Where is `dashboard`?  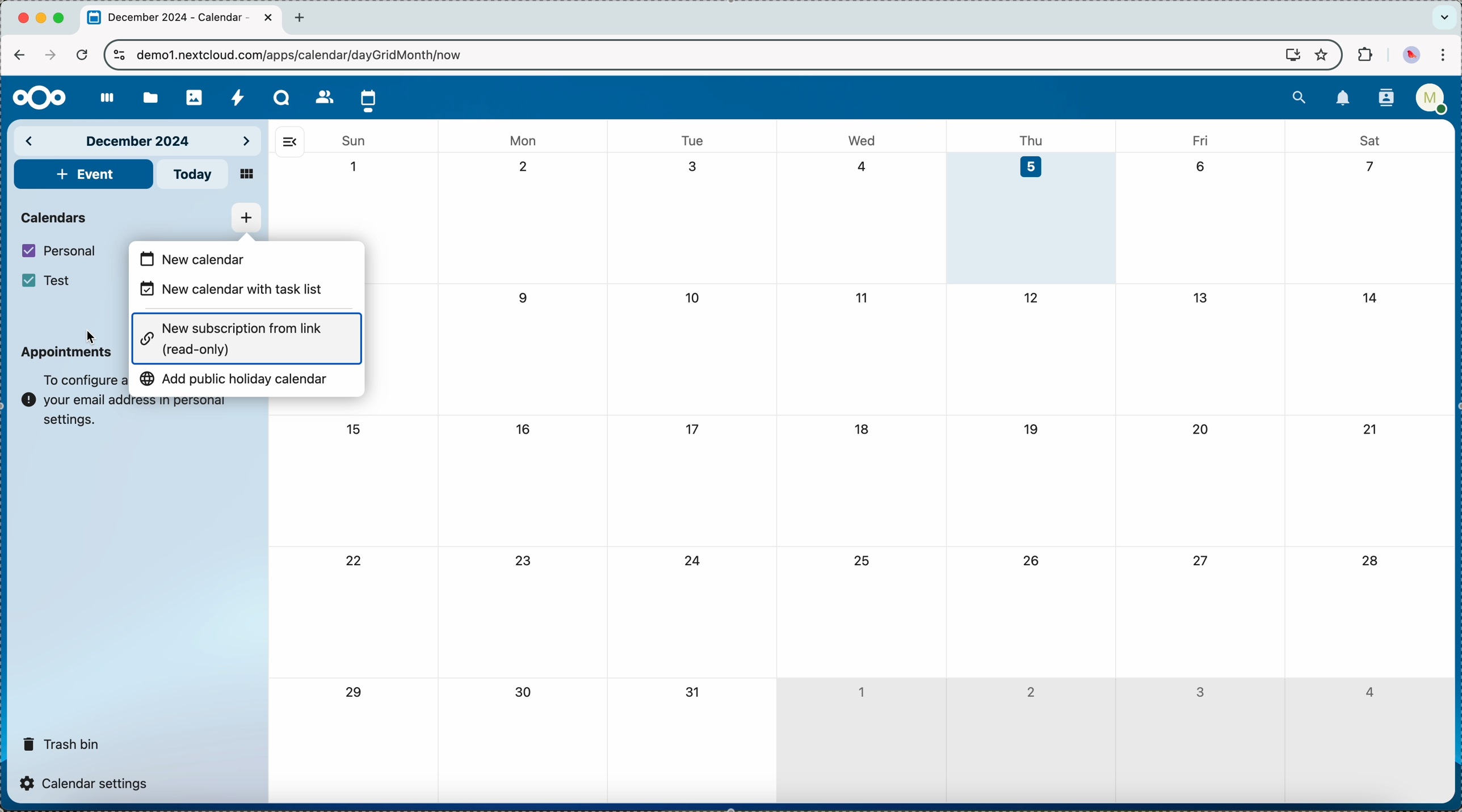 dashboard is located at coordinates (102, 99).